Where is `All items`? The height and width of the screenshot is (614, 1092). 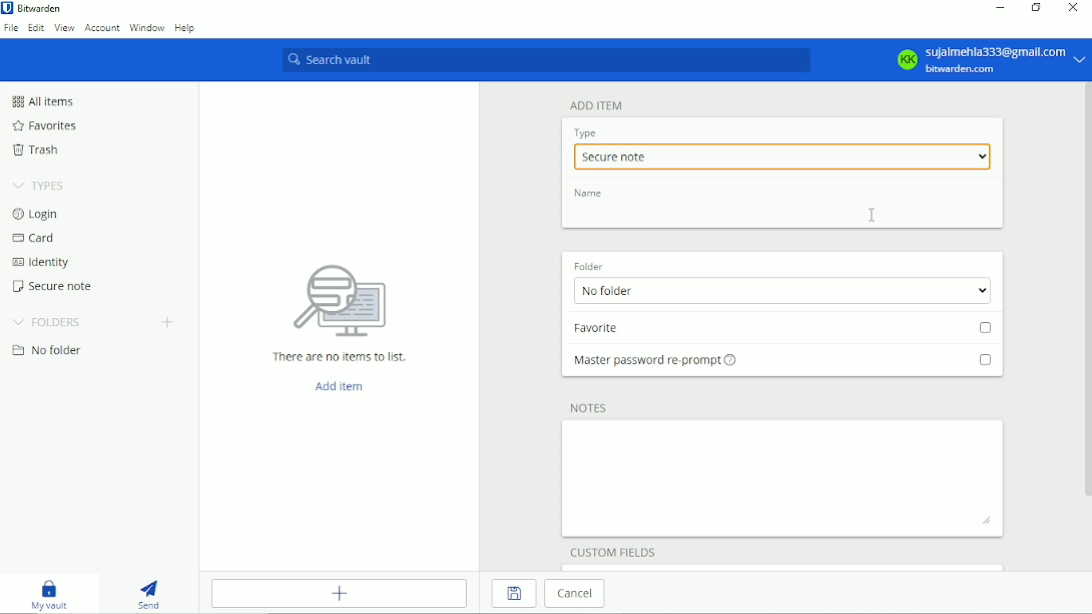 All items is located at coordinates (41, 101).